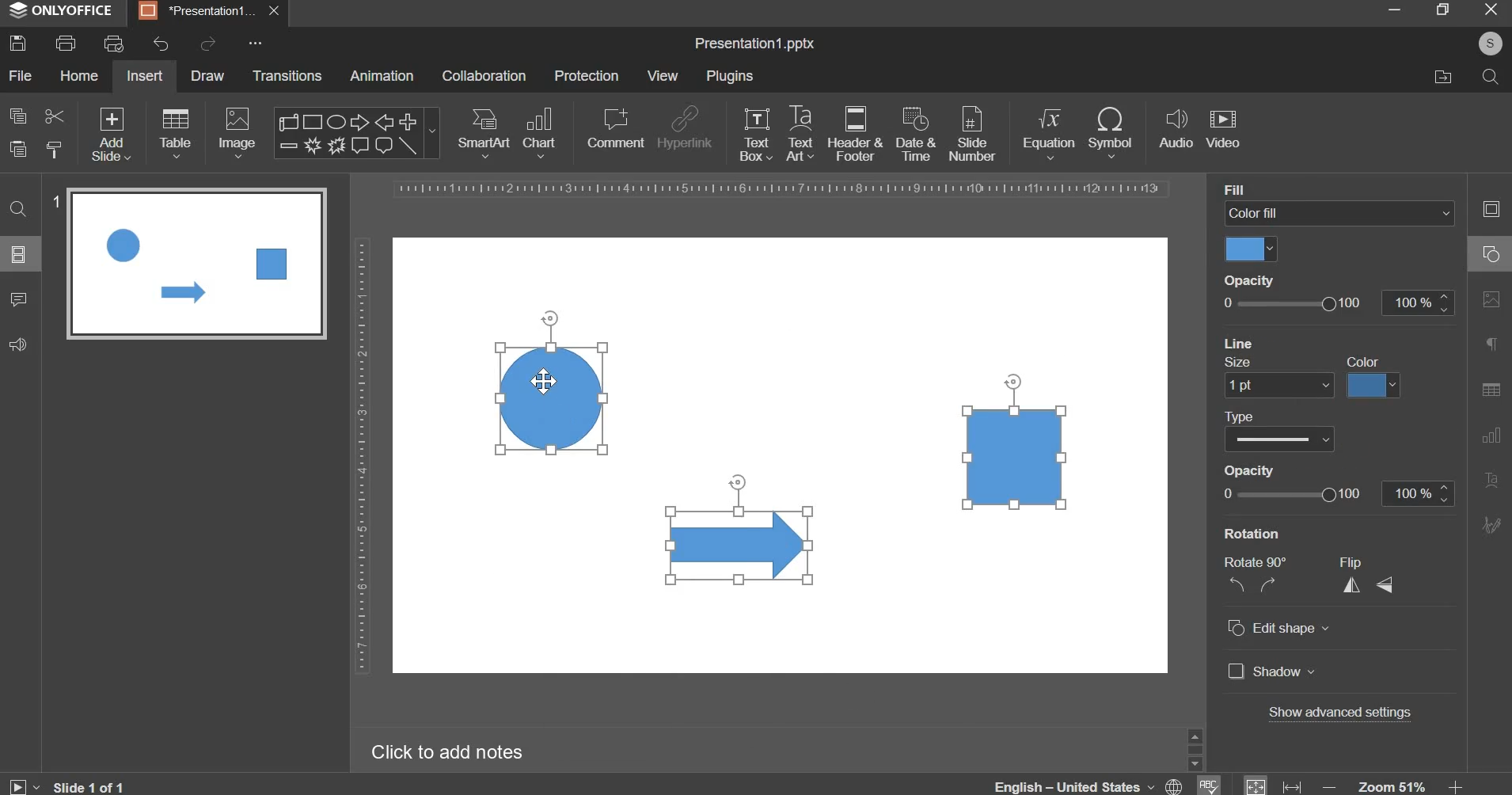 The width and height of the screenshot is (1512, 795). I want to click on rotate, so click(737, 479).